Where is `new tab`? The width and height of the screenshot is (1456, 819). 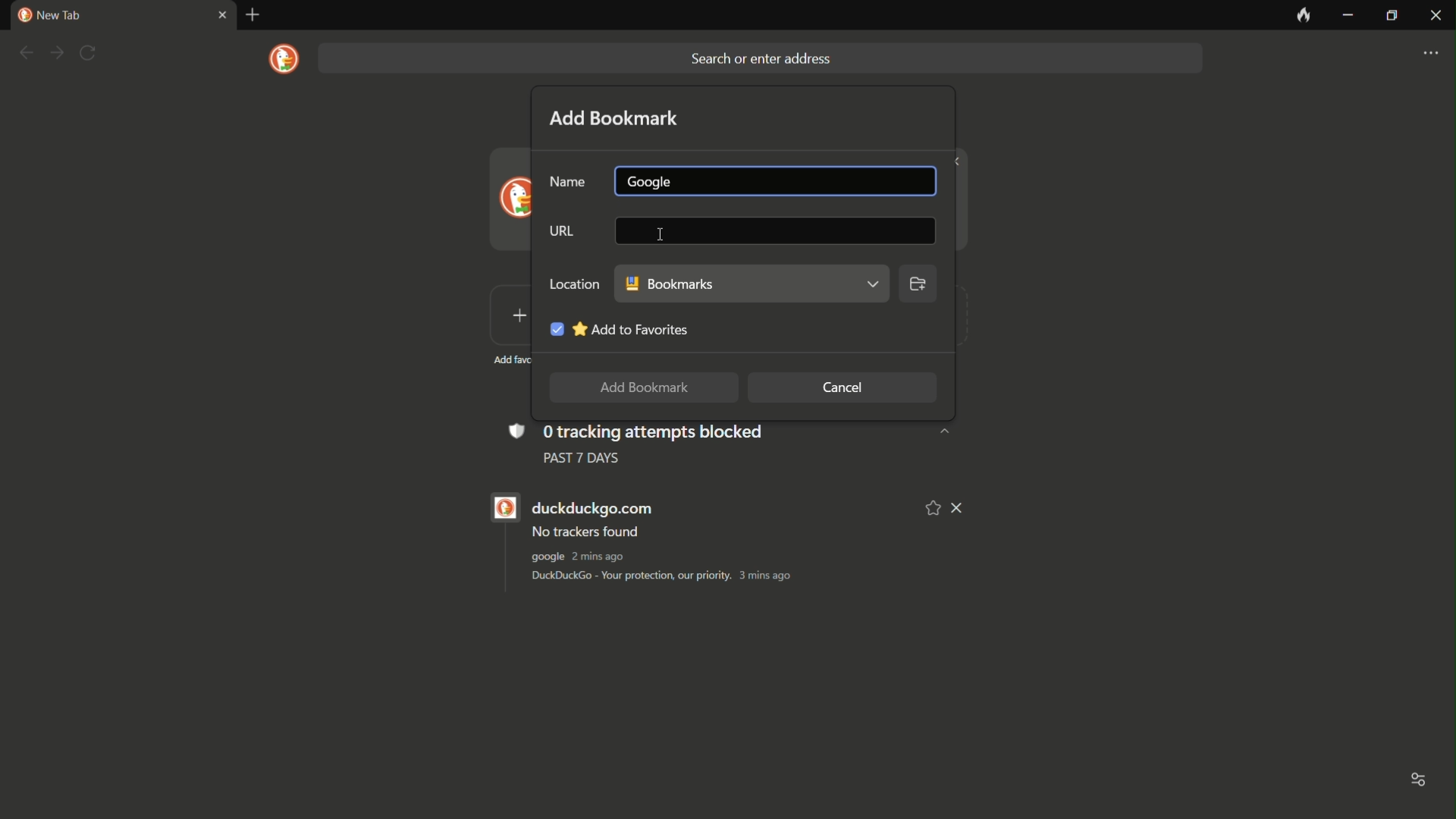
new tab is located at coordinates (49, 15).